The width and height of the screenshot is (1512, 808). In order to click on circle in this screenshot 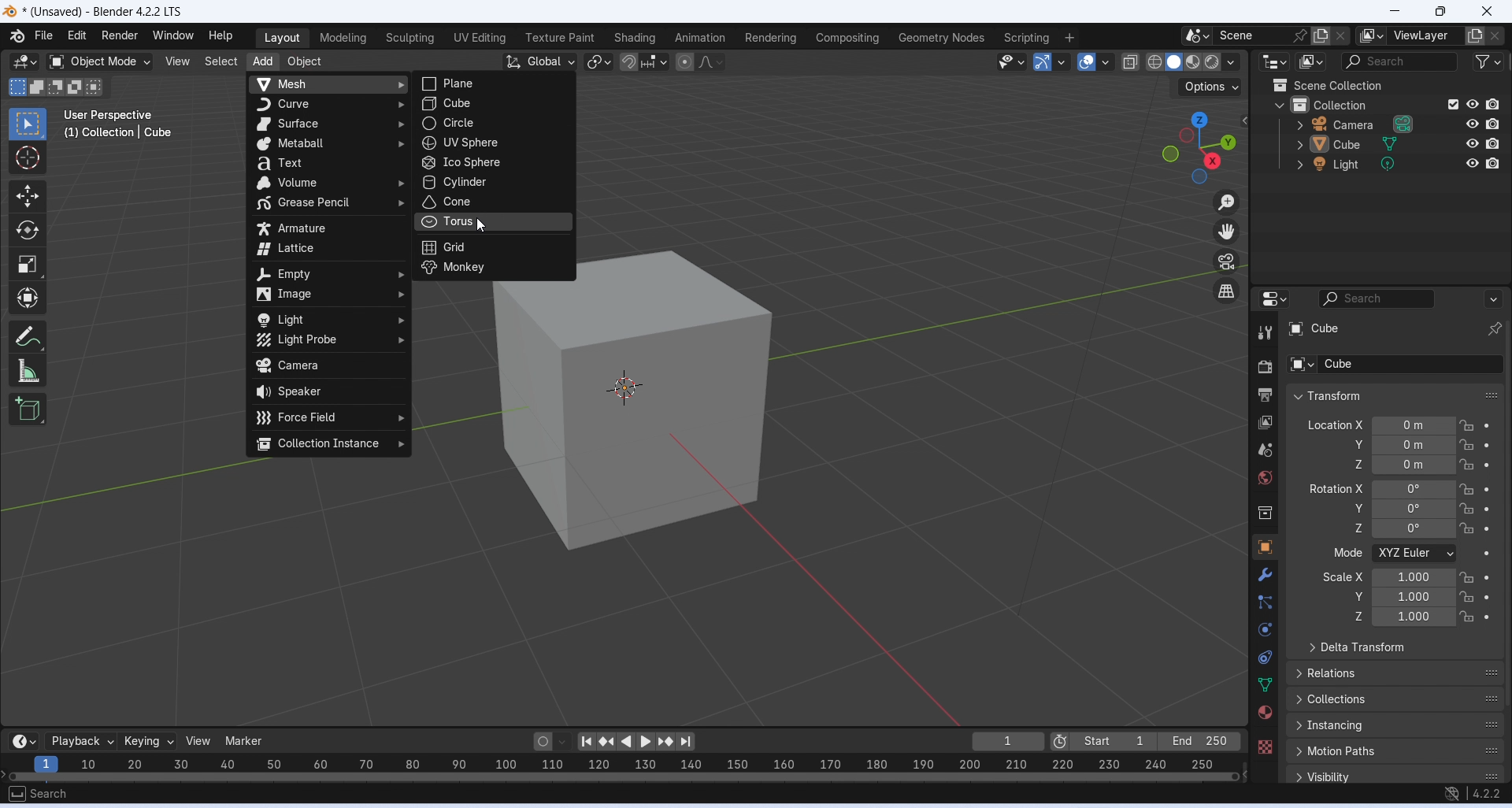, I will do `click(488, 124)`.